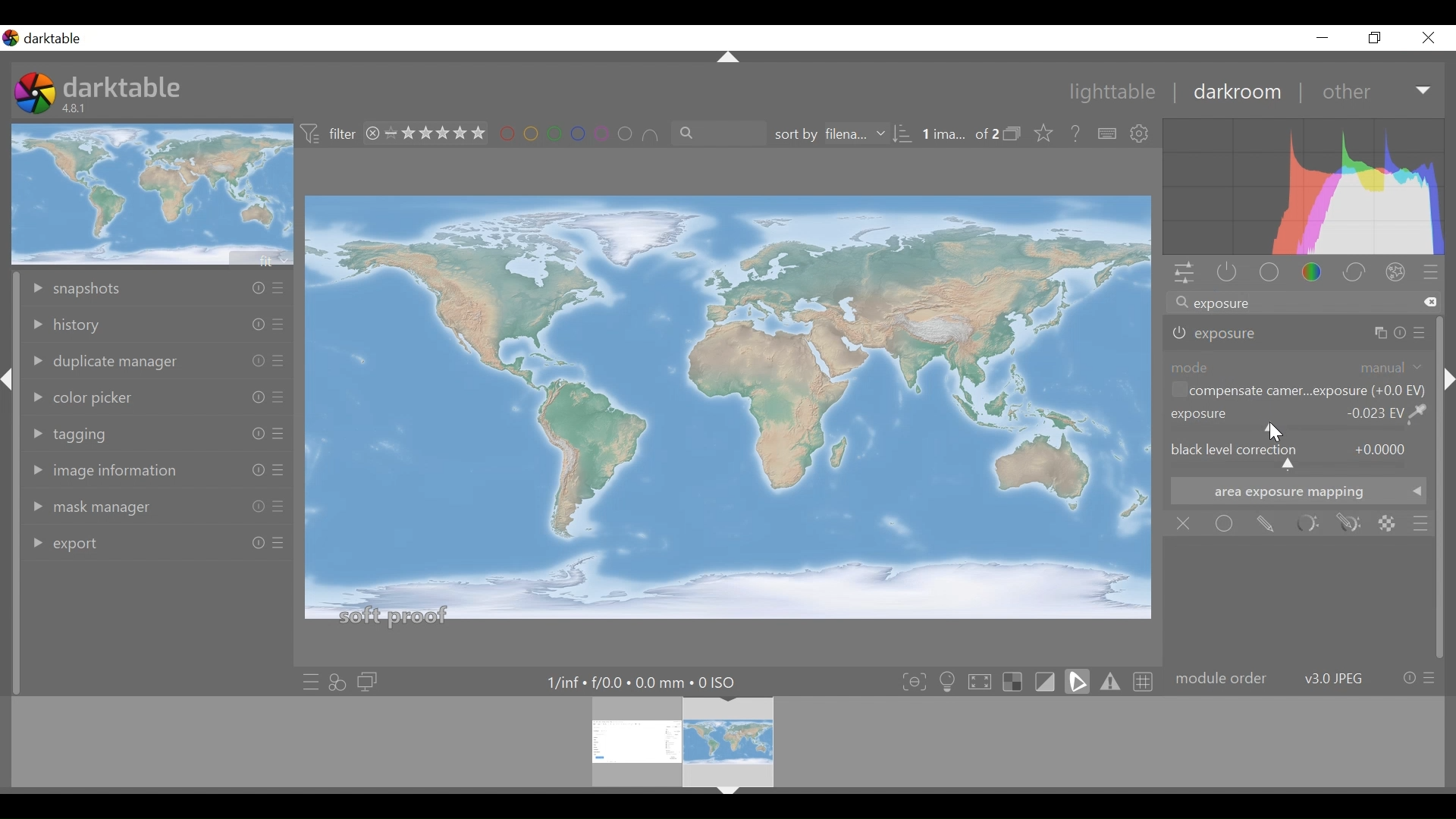 The height and width of the screenshot is (819, 1456). What do you see at coordinates (949, 680) in the screenshot?
I see `toggle ISO 12646 color assessments conditions` at bounding box center [949, 680].